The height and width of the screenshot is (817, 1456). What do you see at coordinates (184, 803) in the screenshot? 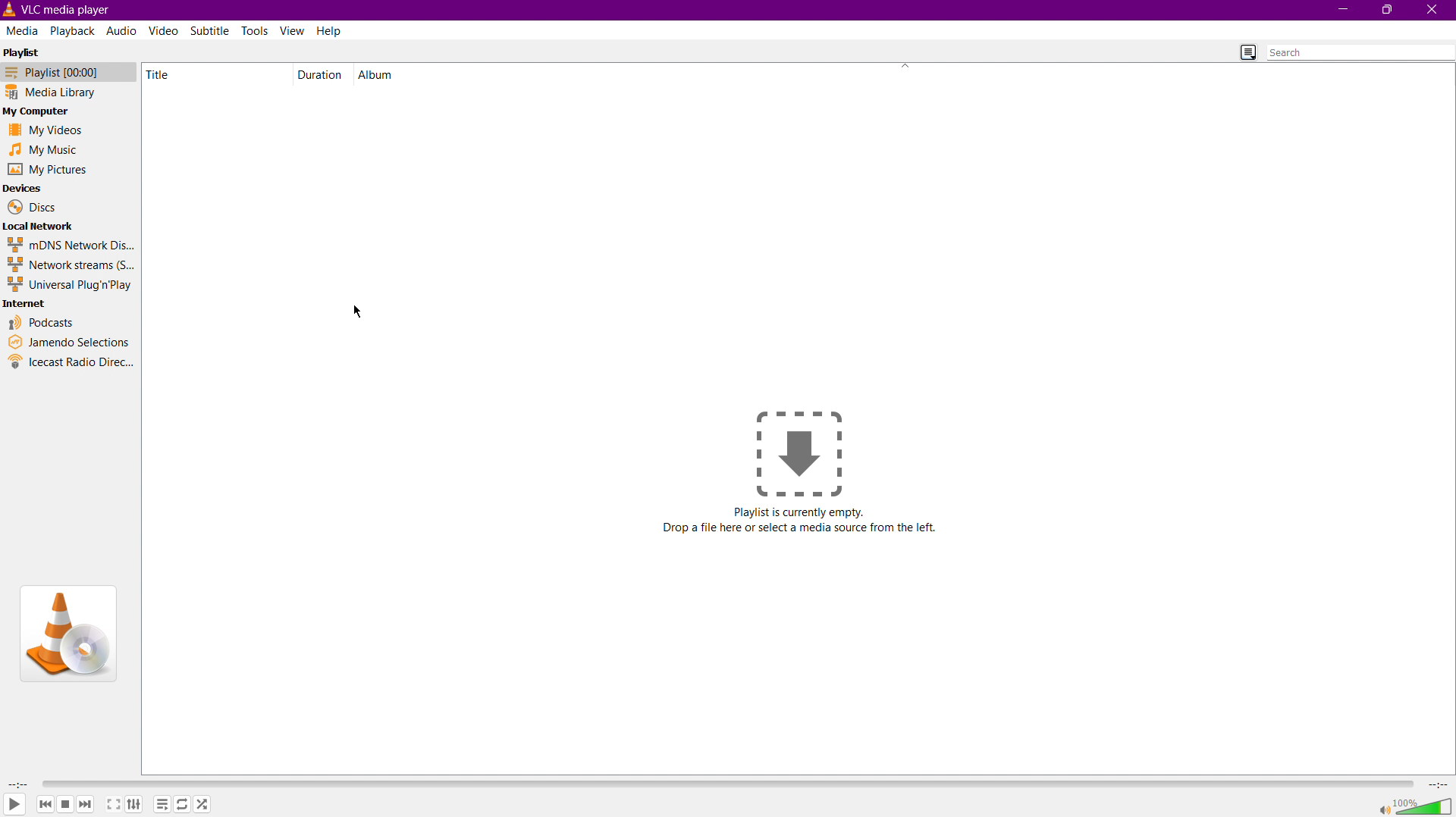
I see `Loop` at bounding box center [184, 803].